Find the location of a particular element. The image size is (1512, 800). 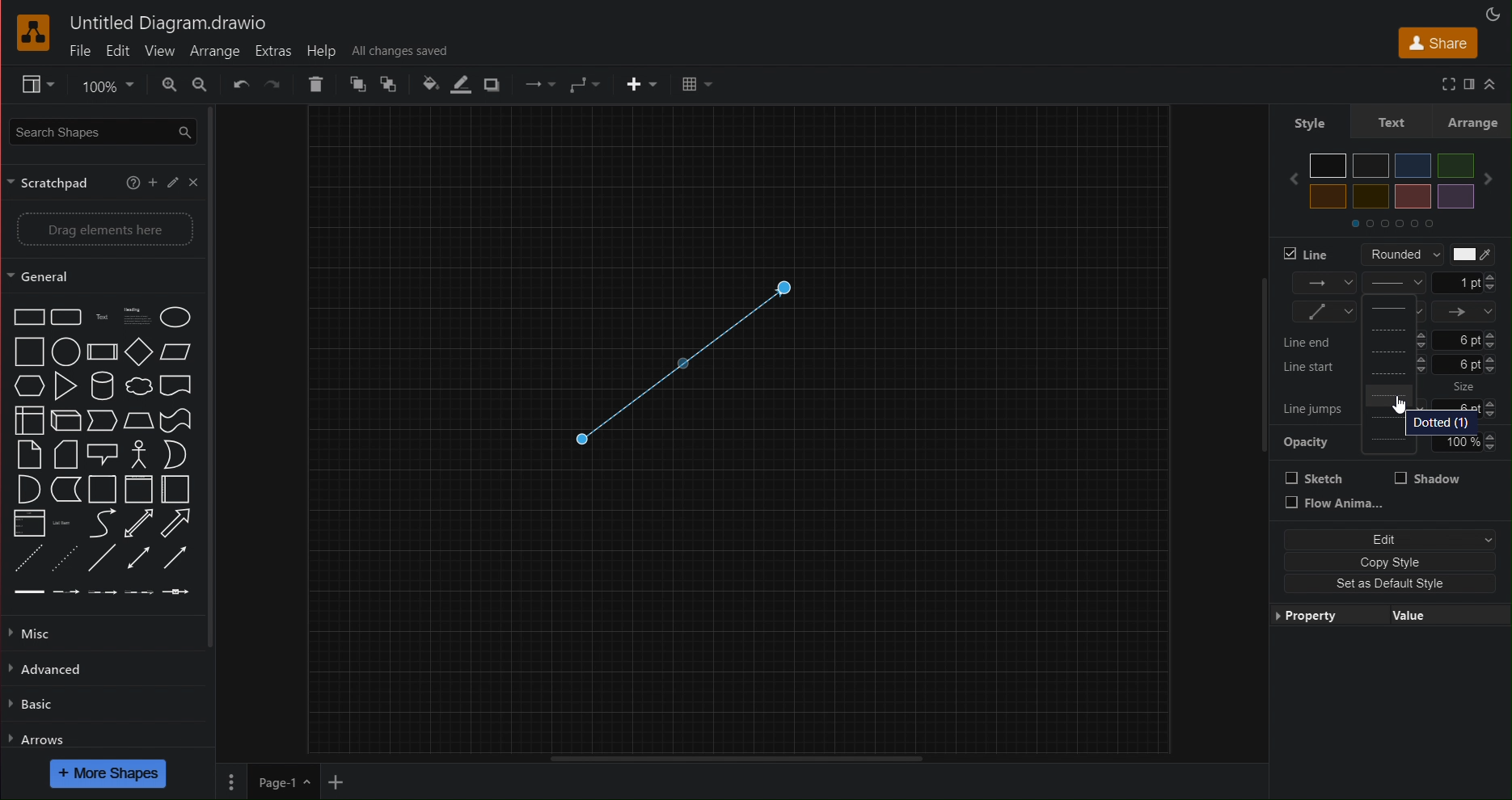

More Shapes is located at coordinates (109, 773).